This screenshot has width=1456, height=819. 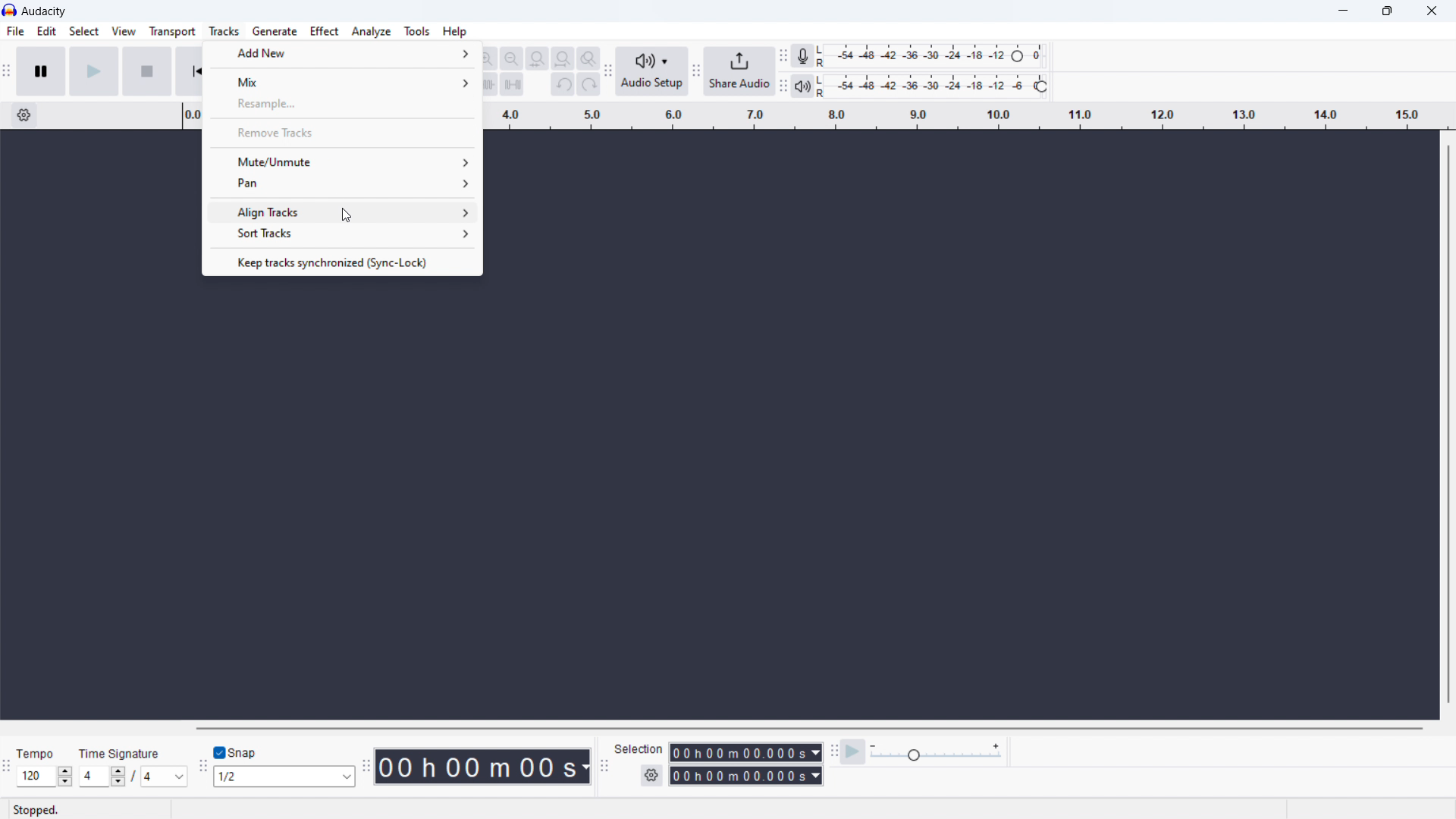 I want to click on minimize, so click(x=1340, y=12).